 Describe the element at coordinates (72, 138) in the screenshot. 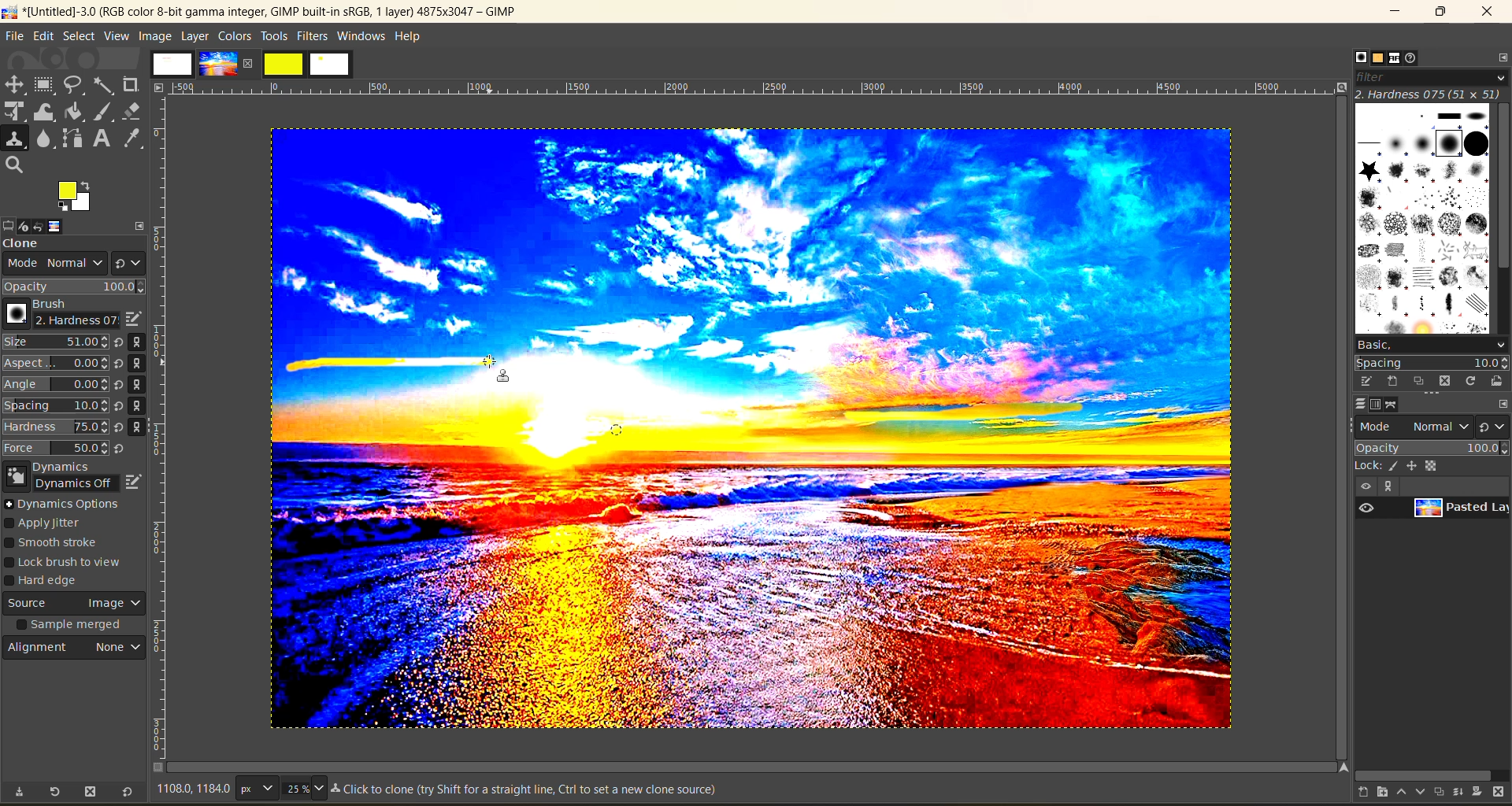

I see `path tool` at that location.